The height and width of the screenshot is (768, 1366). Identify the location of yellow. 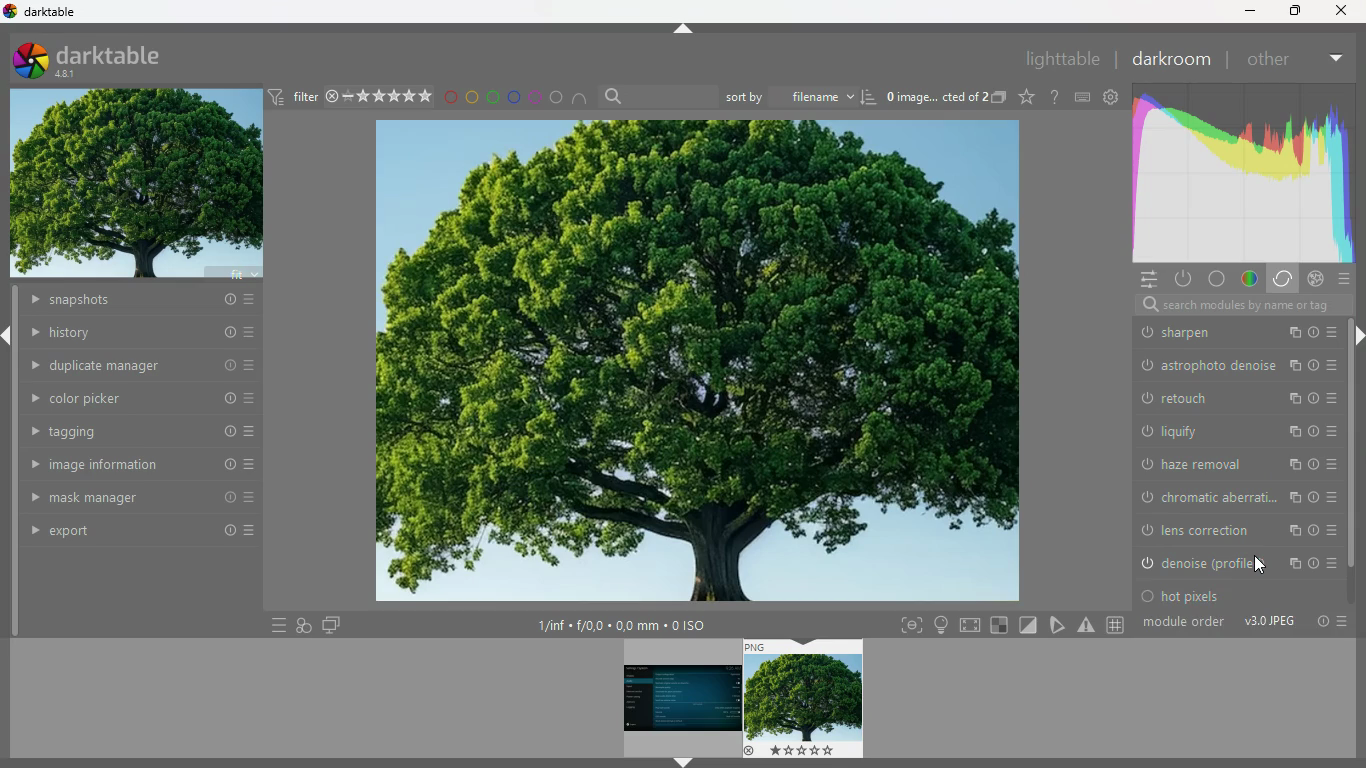
(471, 97).